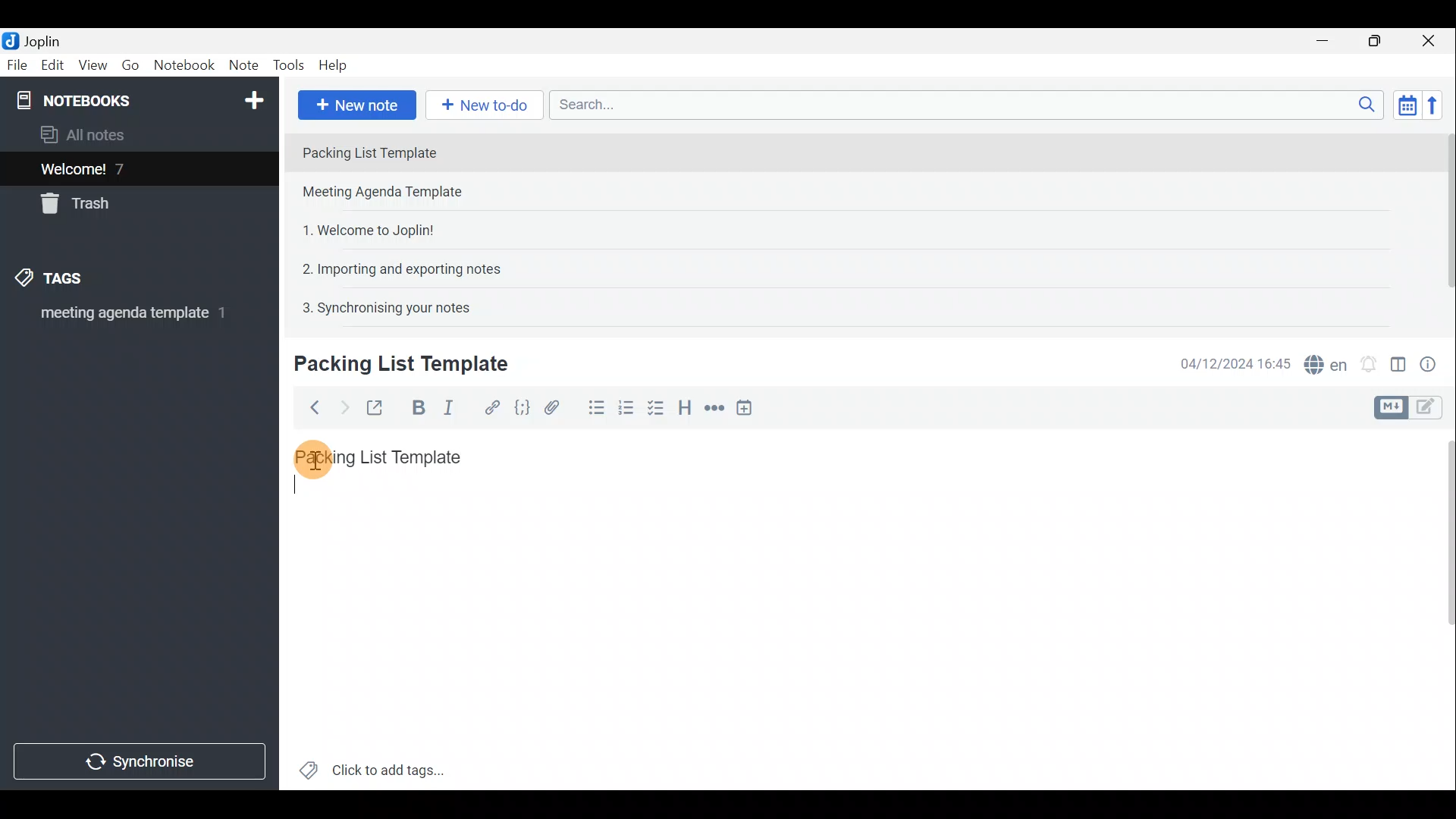  Describe the element at coordinates (36, 40) in the screenshot. I see `Joplin` at that location.